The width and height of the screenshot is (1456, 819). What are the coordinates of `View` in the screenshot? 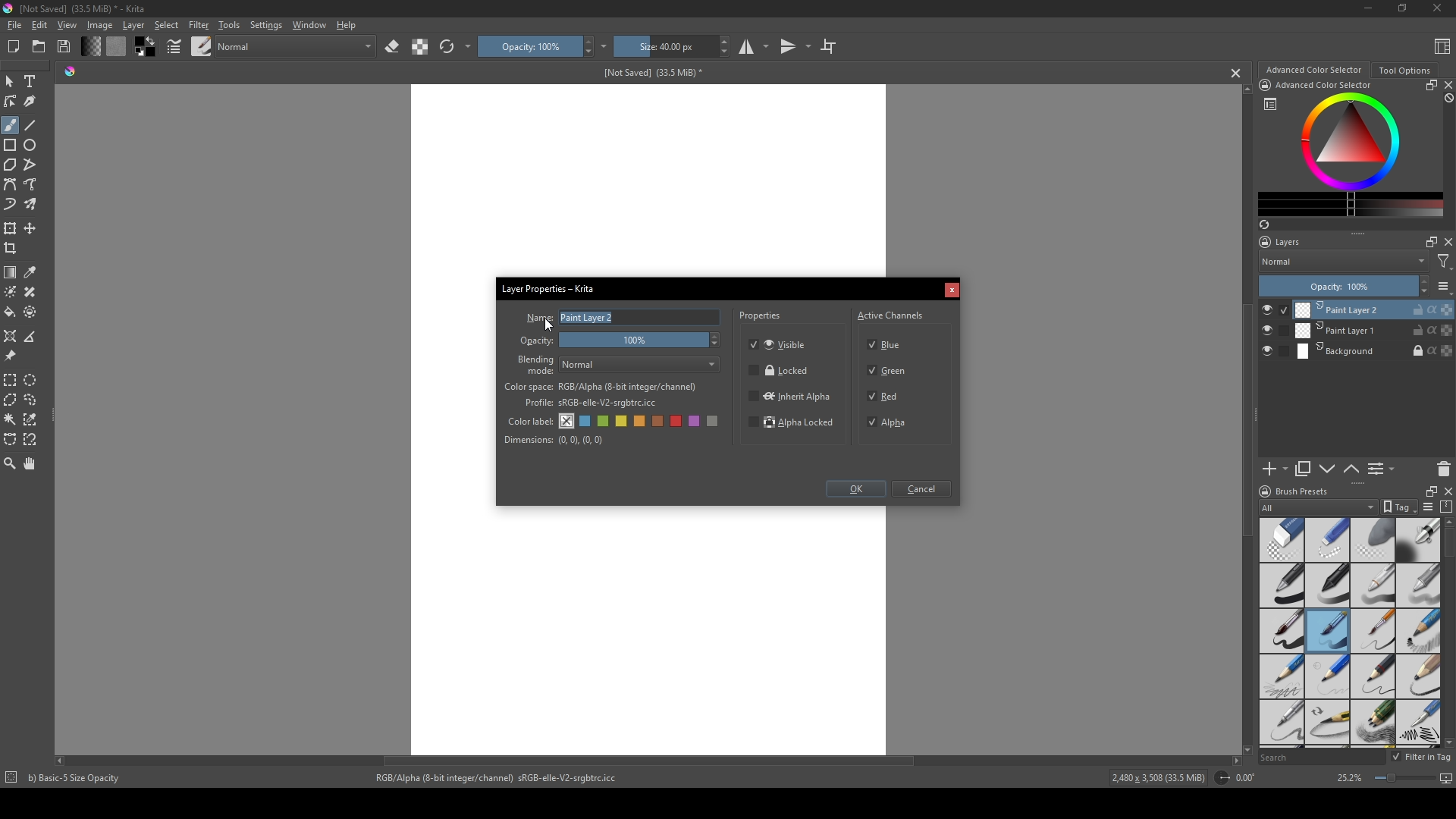 It's located at (67, 25).